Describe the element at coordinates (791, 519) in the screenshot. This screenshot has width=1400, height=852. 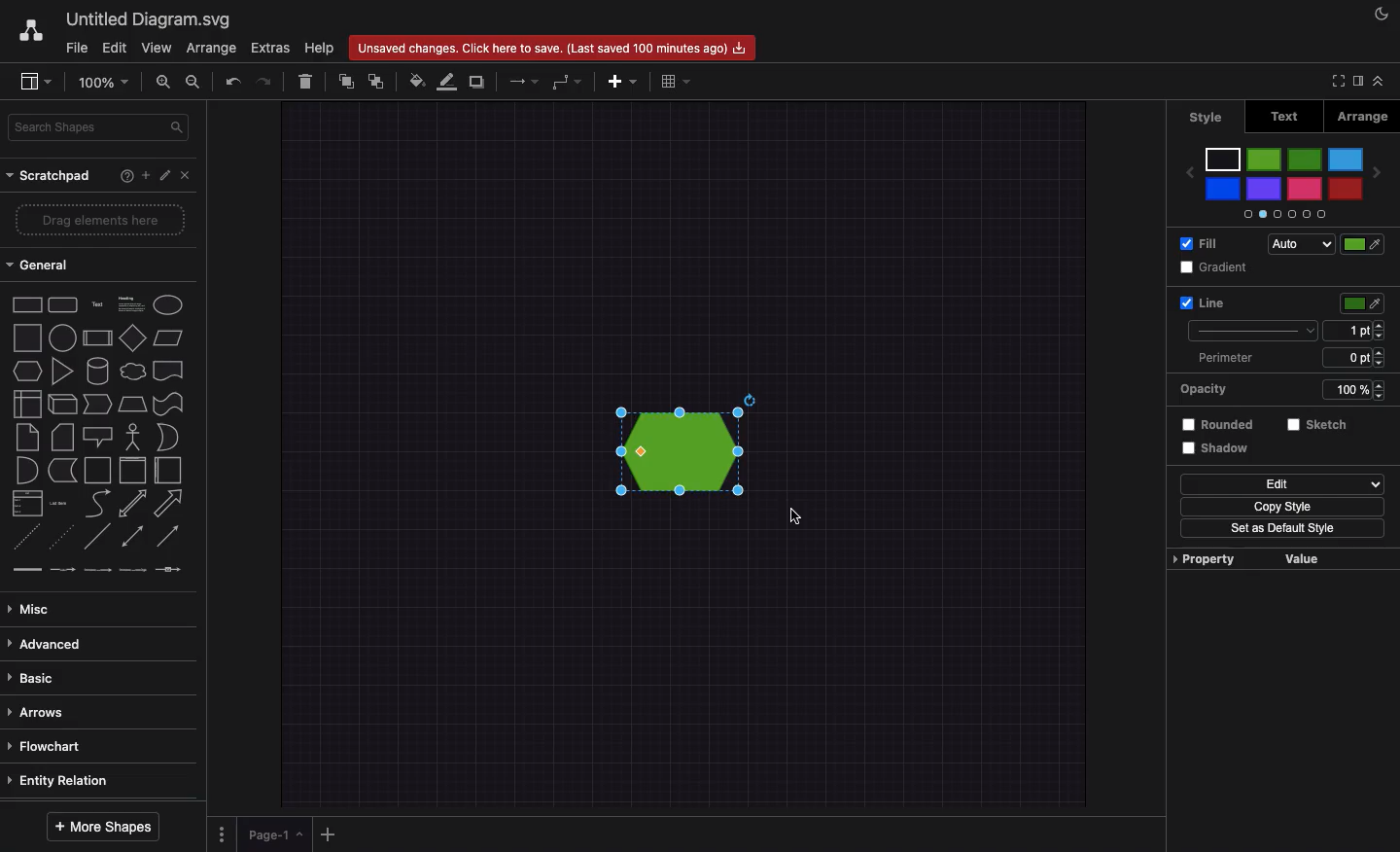
I see `Cursor` at that location.